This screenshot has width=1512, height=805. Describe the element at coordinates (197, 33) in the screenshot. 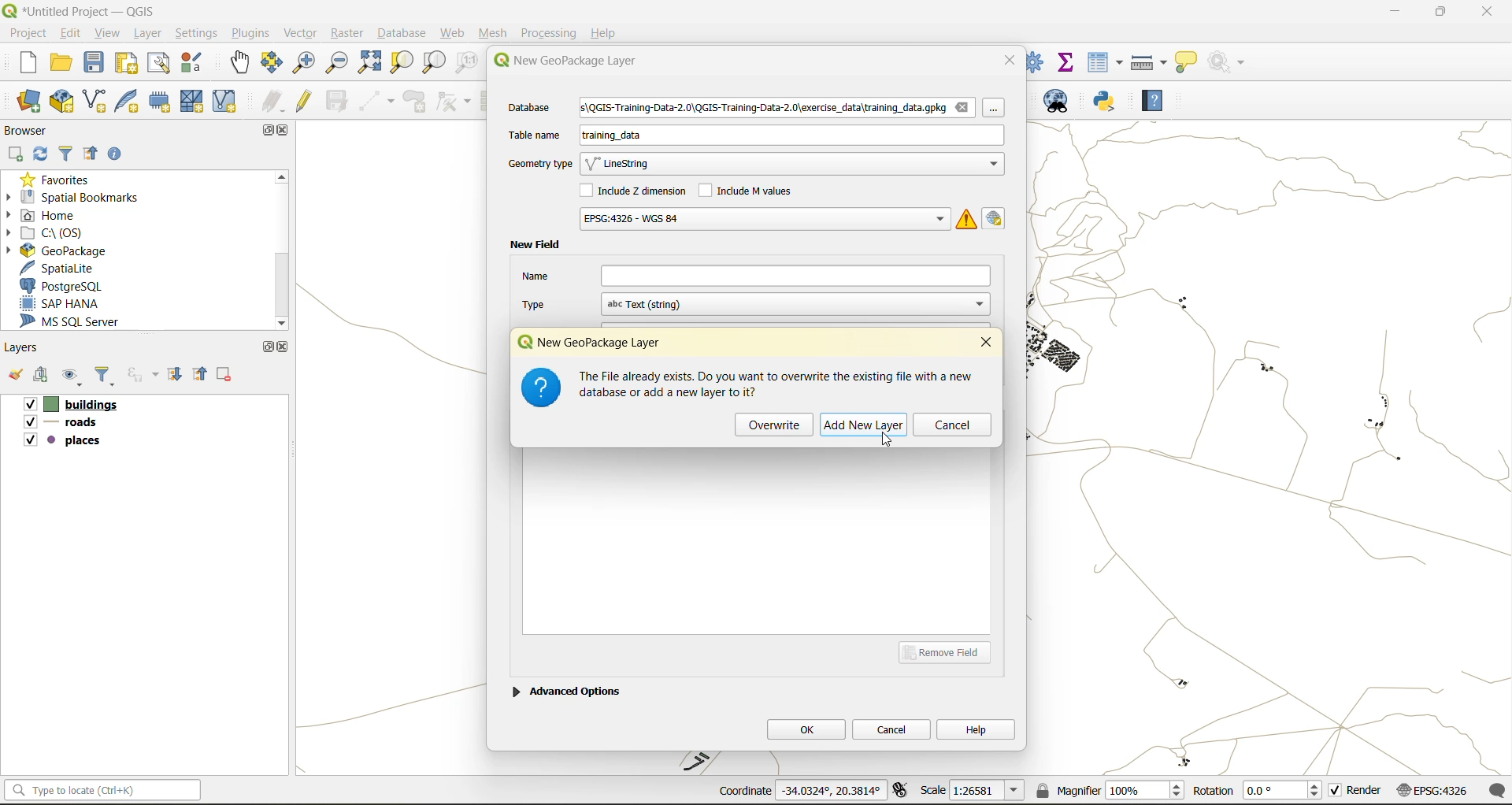

I see `settings` at that location.